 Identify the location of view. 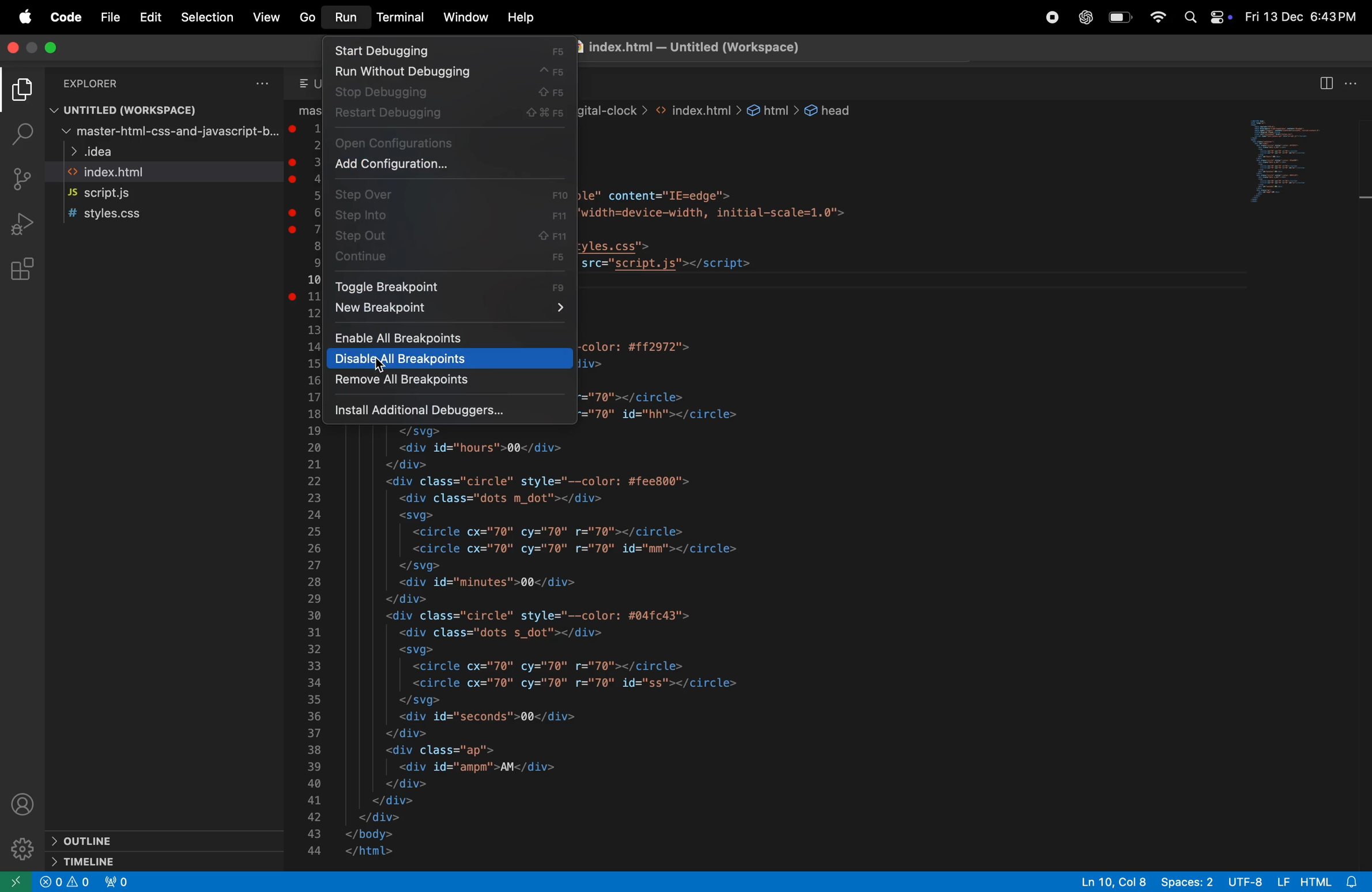
(265, 18).